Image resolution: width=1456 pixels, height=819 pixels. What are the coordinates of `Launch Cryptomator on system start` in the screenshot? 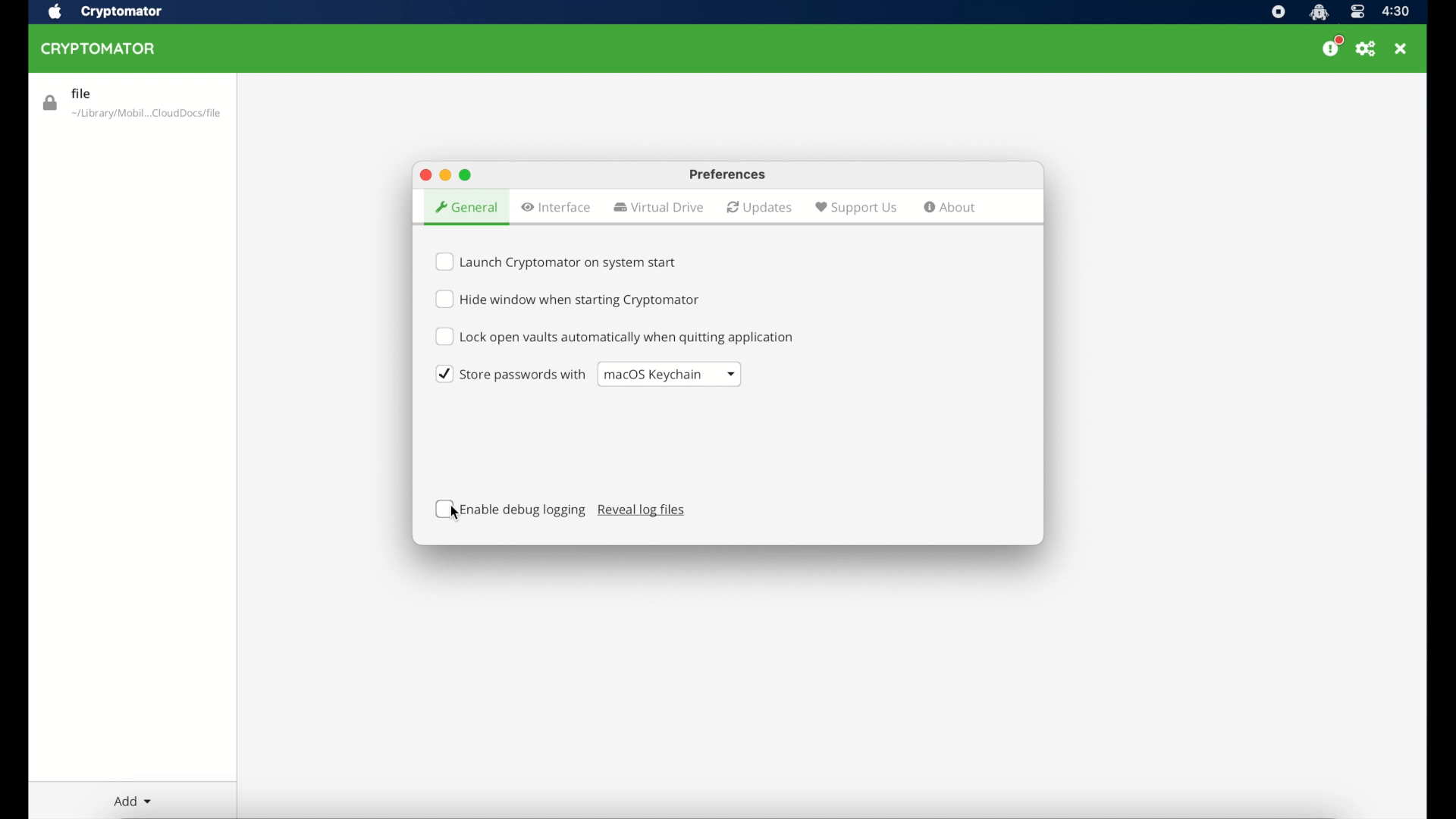 It's located at (559, 259).